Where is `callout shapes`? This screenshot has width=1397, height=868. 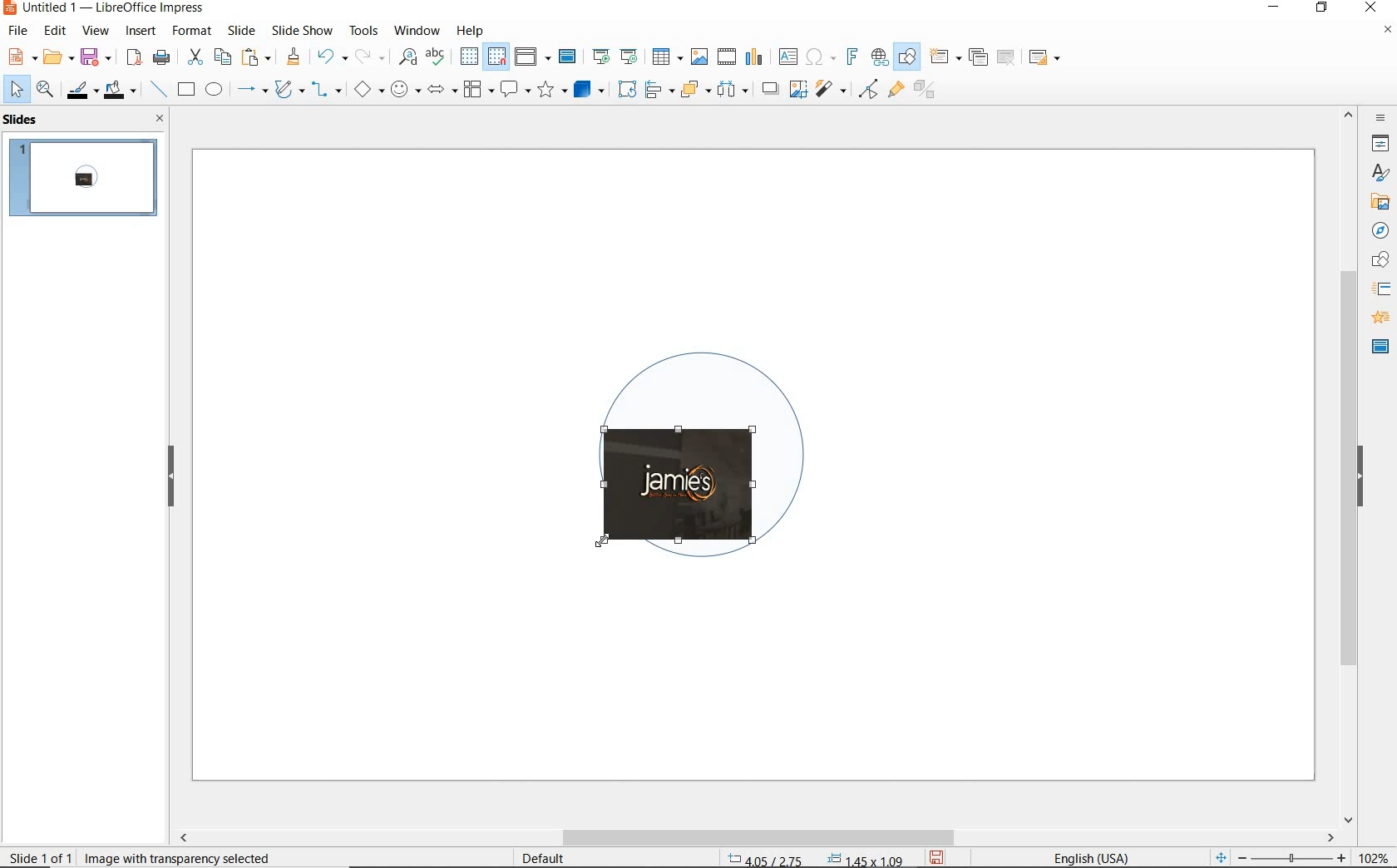 callout shapes is located at coordinates (512, 91).